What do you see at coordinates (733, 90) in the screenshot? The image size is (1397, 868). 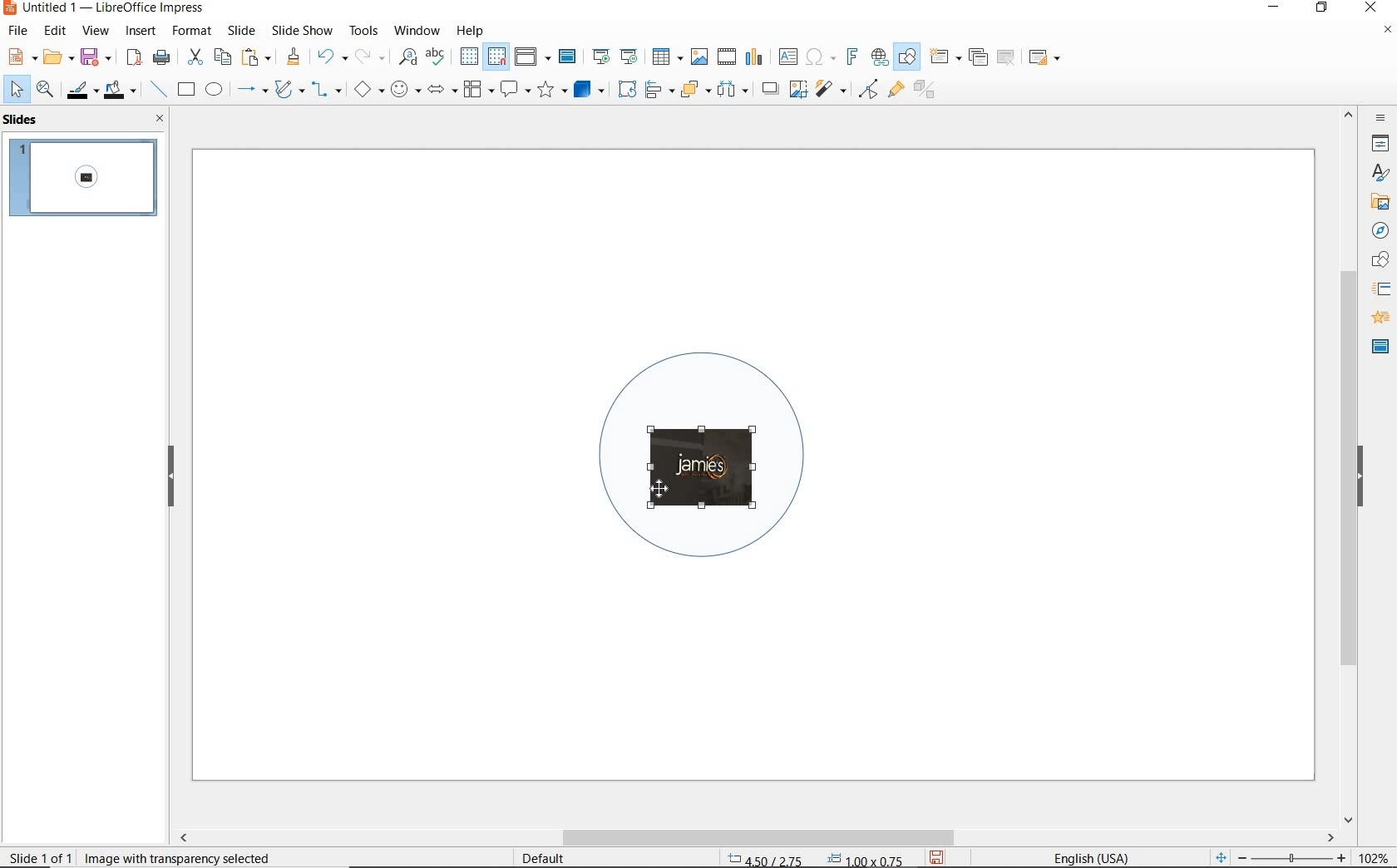 I see `select at least three objects to distribute` at bounding box center [733, 90].